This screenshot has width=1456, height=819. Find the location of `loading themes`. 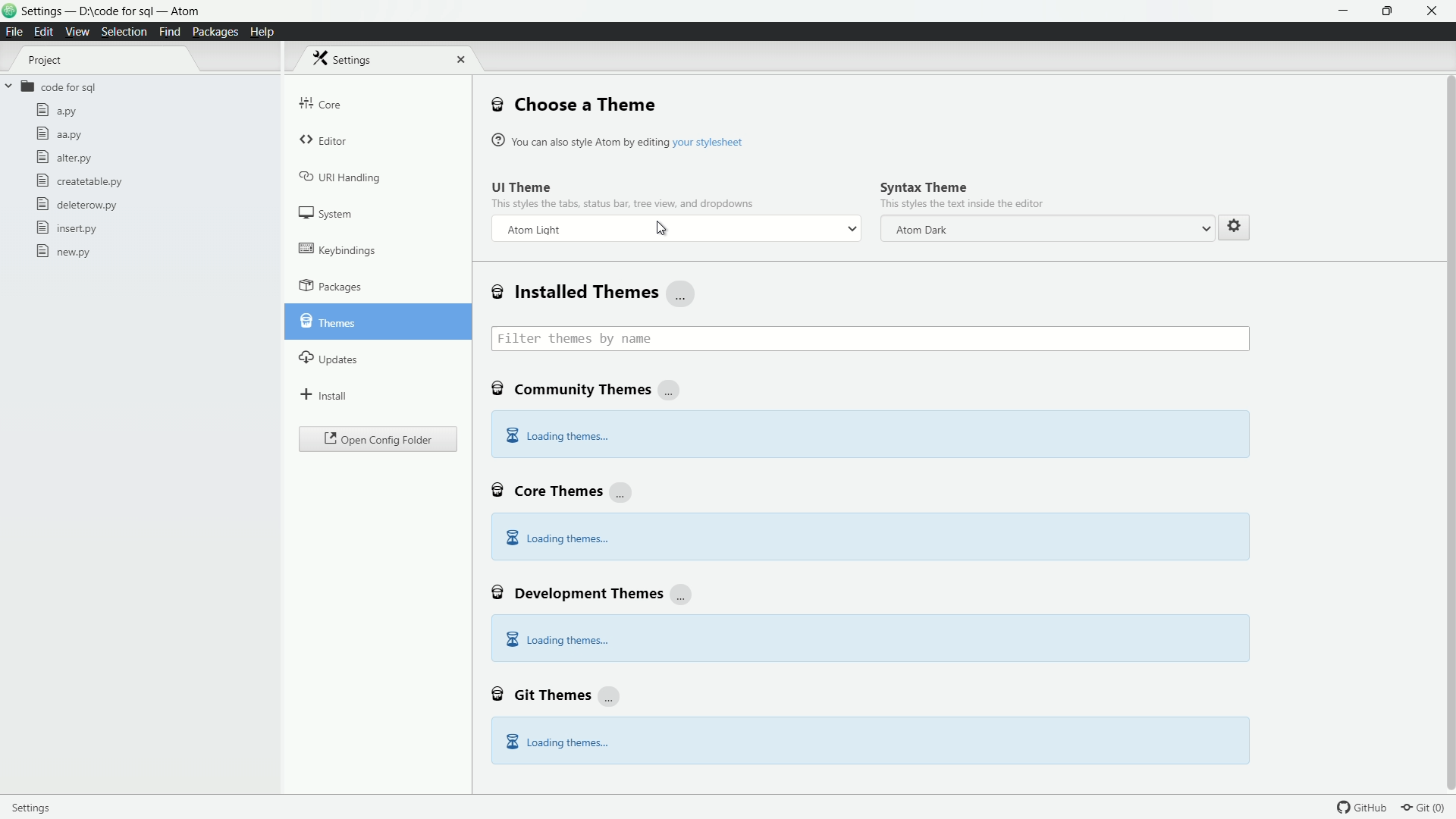

loading themes is located at coordinates (556, 538).